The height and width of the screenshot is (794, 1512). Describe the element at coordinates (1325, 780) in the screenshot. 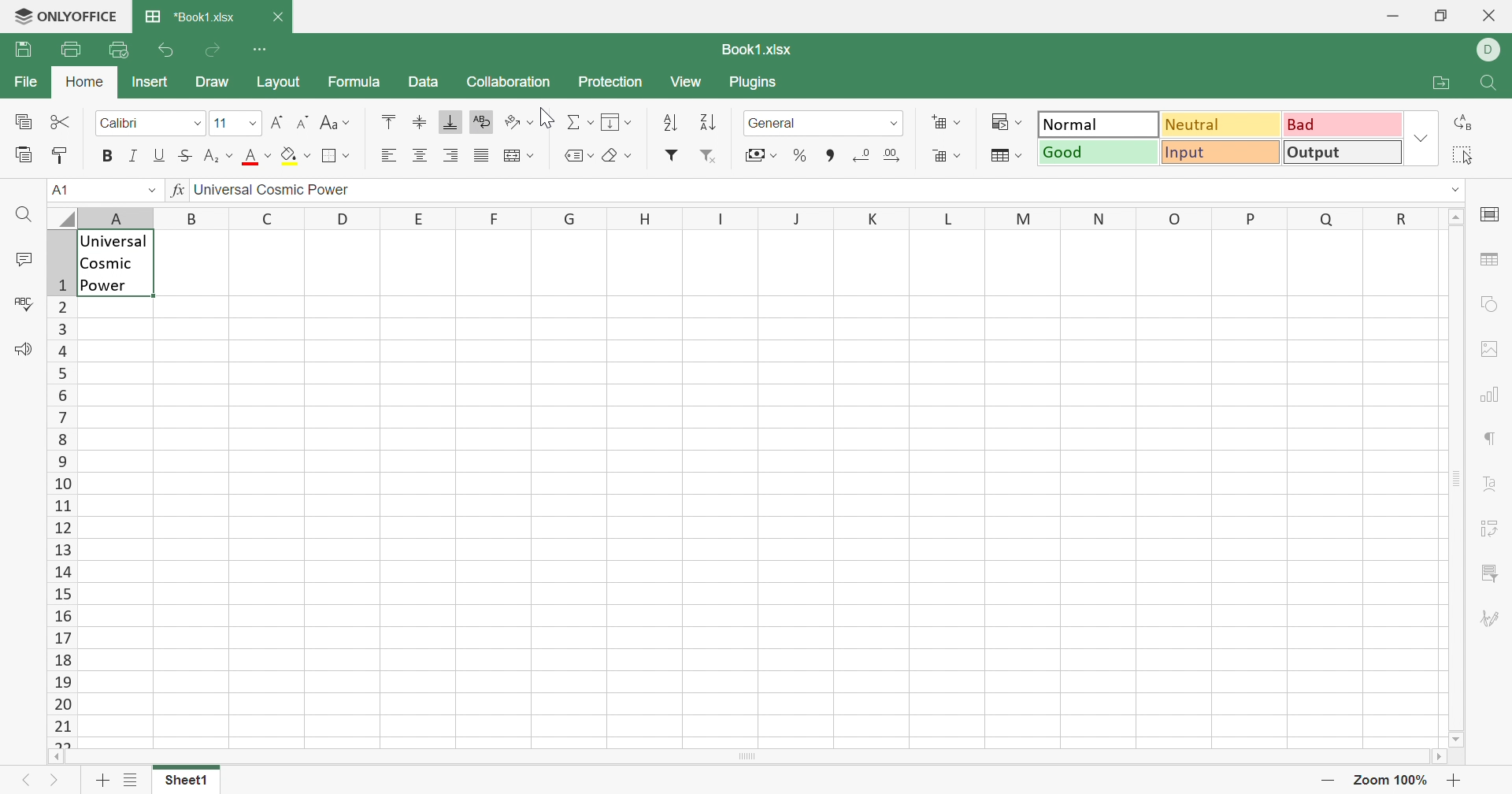

I see `Zoom out` at that location.